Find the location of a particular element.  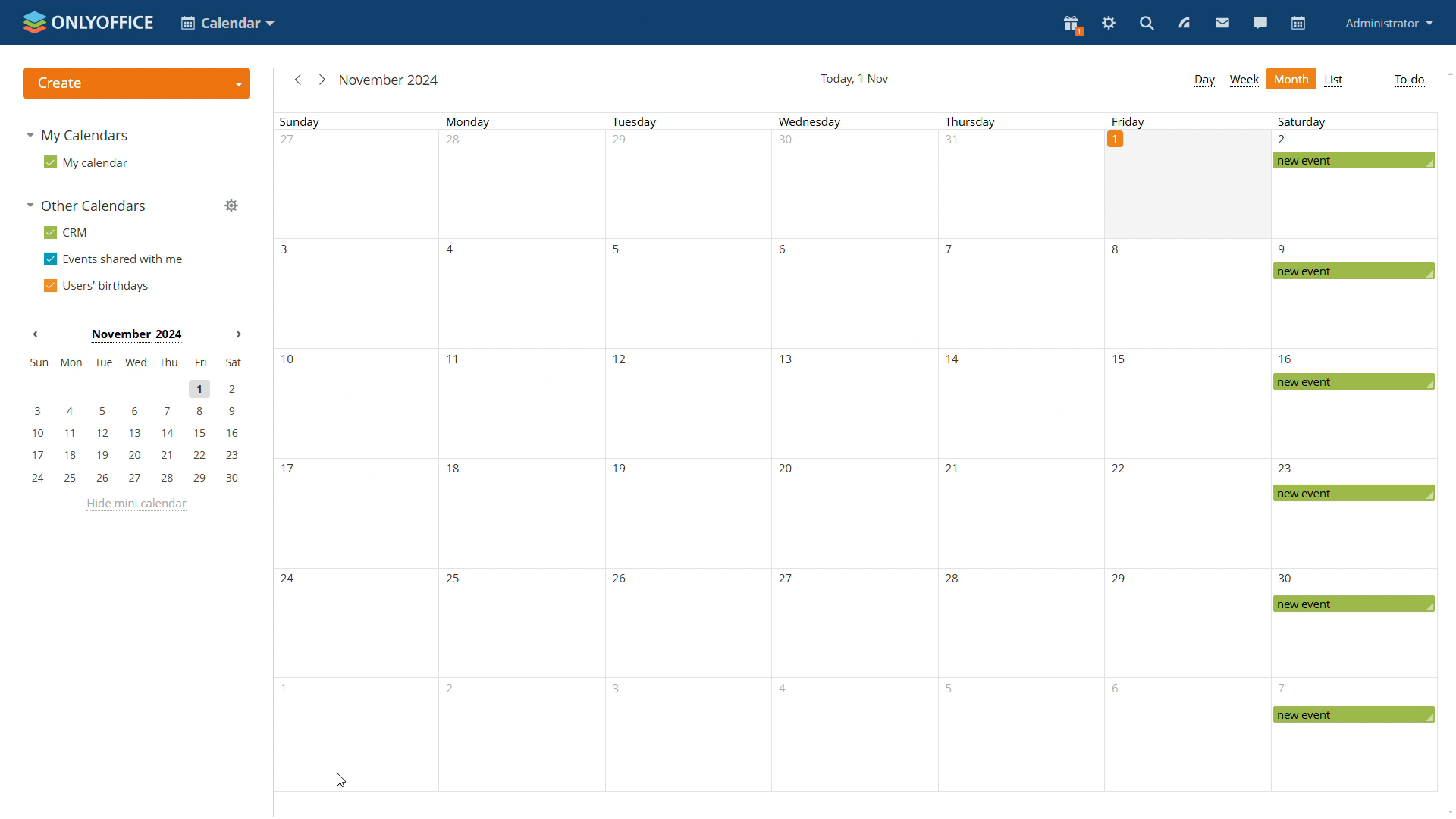

present is located at coordinates (1072, 26).